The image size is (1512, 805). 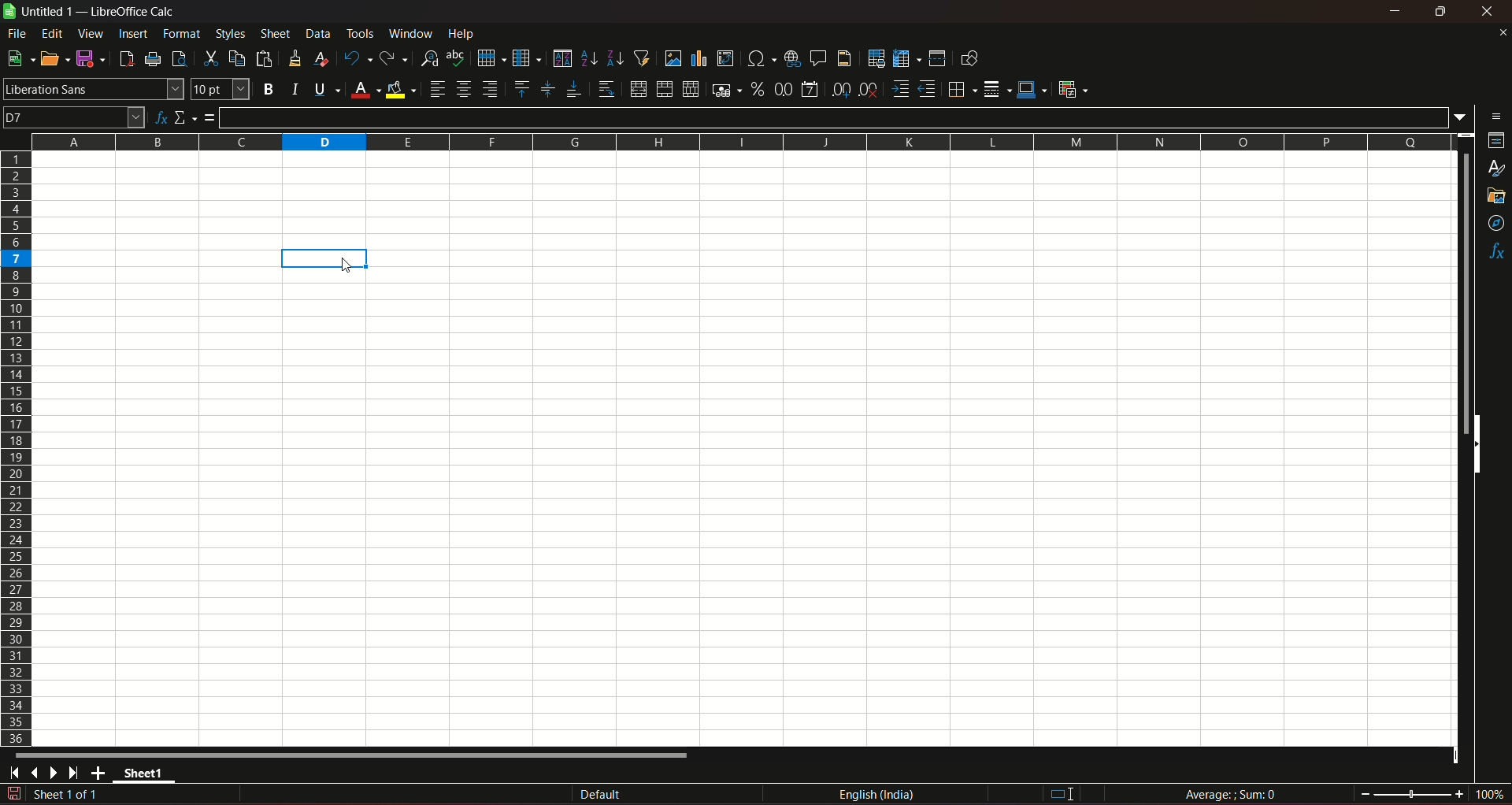 What do you see at coordinates (673, 58) in the screenshot?
I see `insert image` at bounding box center [673, 58].